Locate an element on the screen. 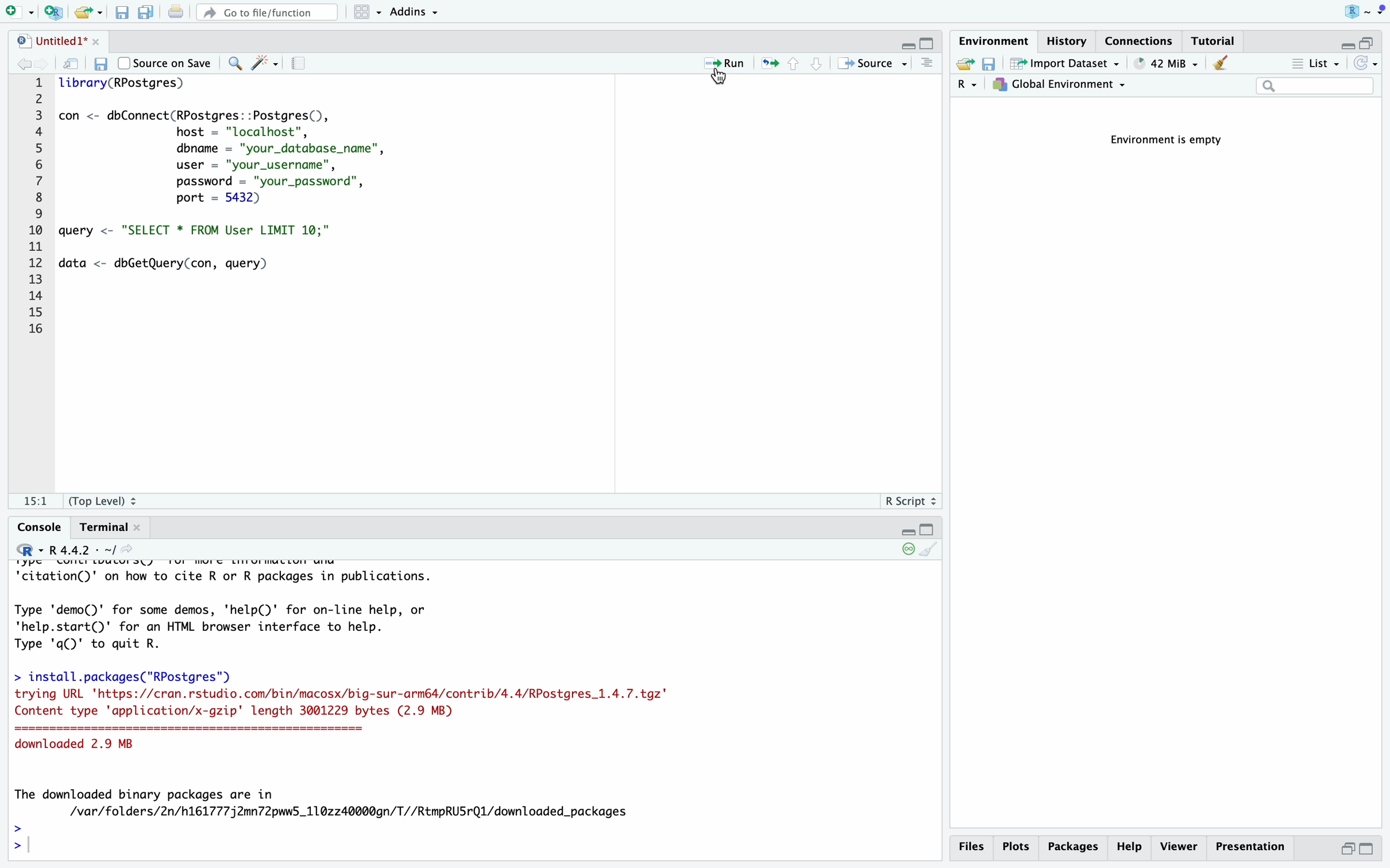  query to get is located at coordinates (181, 264).